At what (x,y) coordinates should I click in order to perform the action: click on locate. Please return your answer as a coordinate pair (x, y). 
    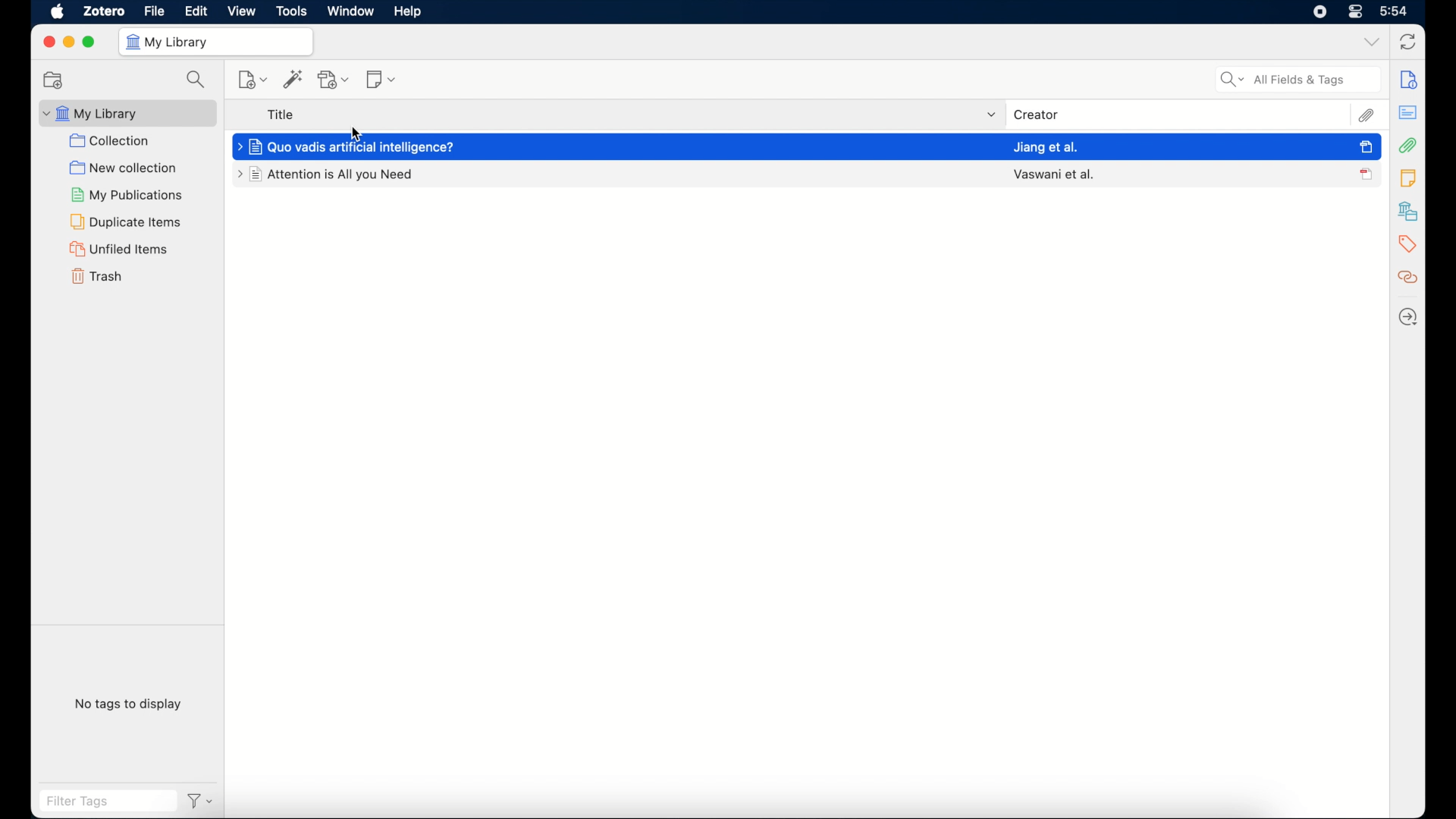
    Looking at the image, I should click on (1408, 316).